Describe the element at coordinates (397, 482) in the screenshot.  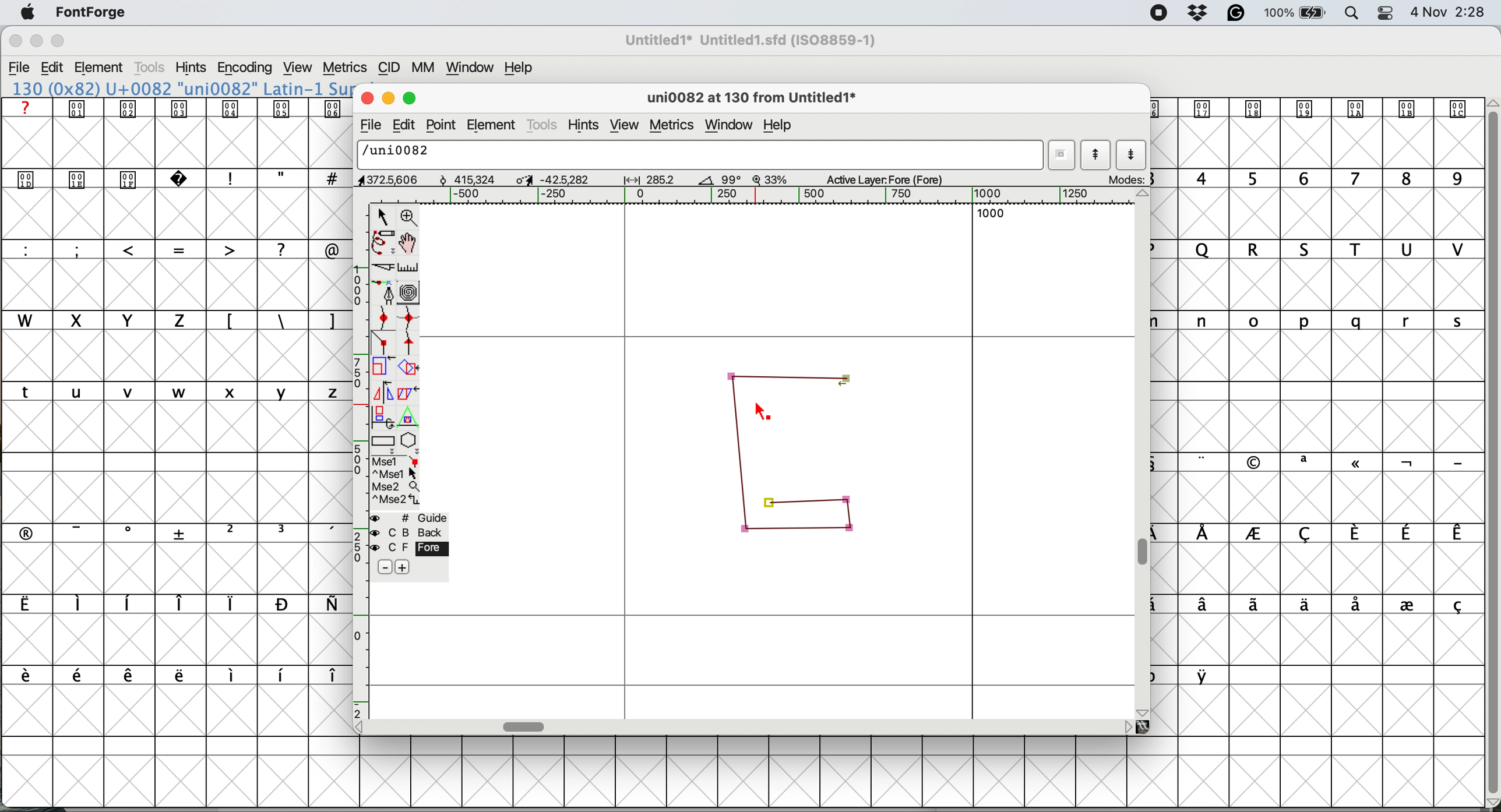
I see `selections` at that location.